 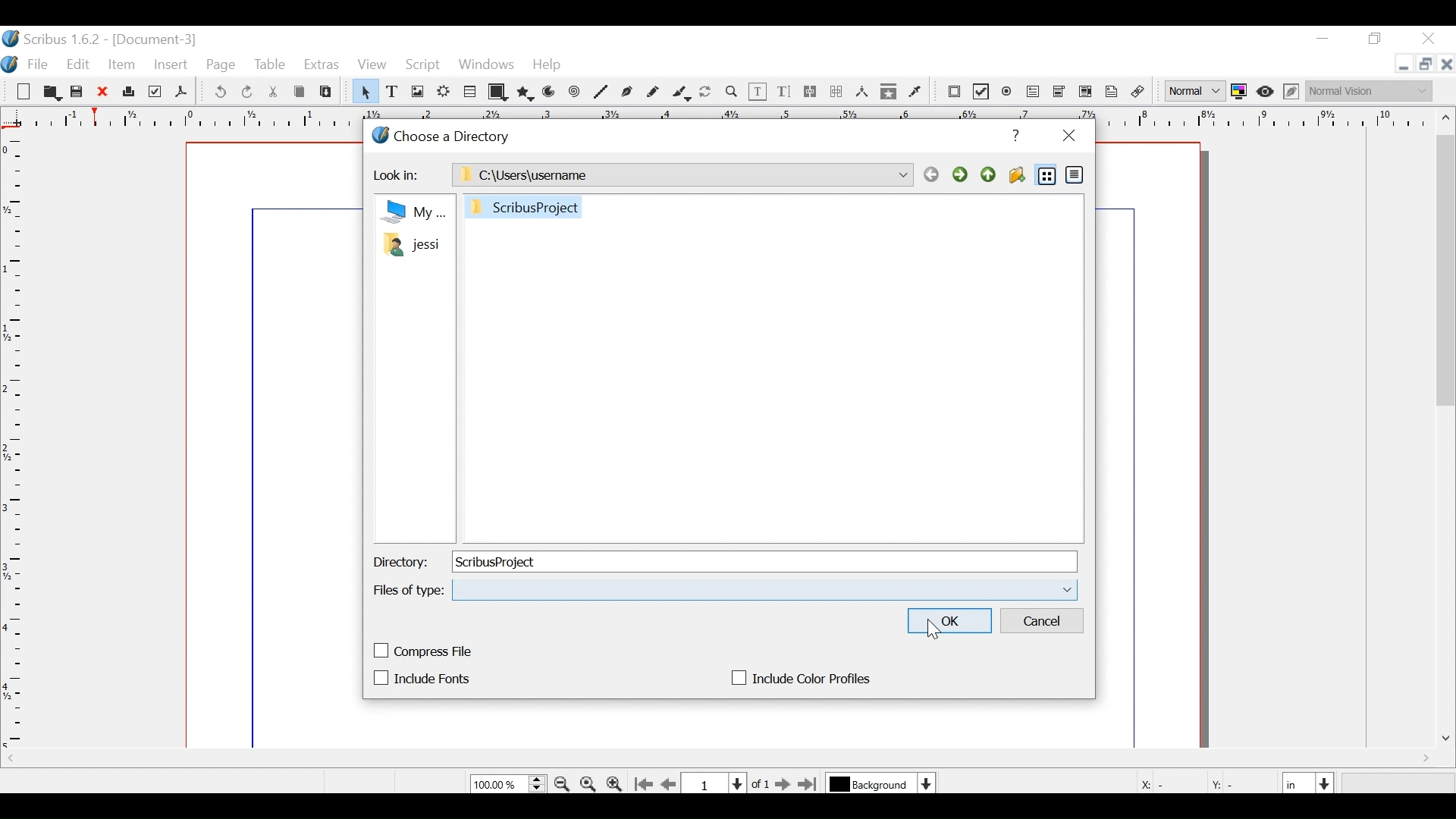 I want to click on Print, so click(x=128, y=93).